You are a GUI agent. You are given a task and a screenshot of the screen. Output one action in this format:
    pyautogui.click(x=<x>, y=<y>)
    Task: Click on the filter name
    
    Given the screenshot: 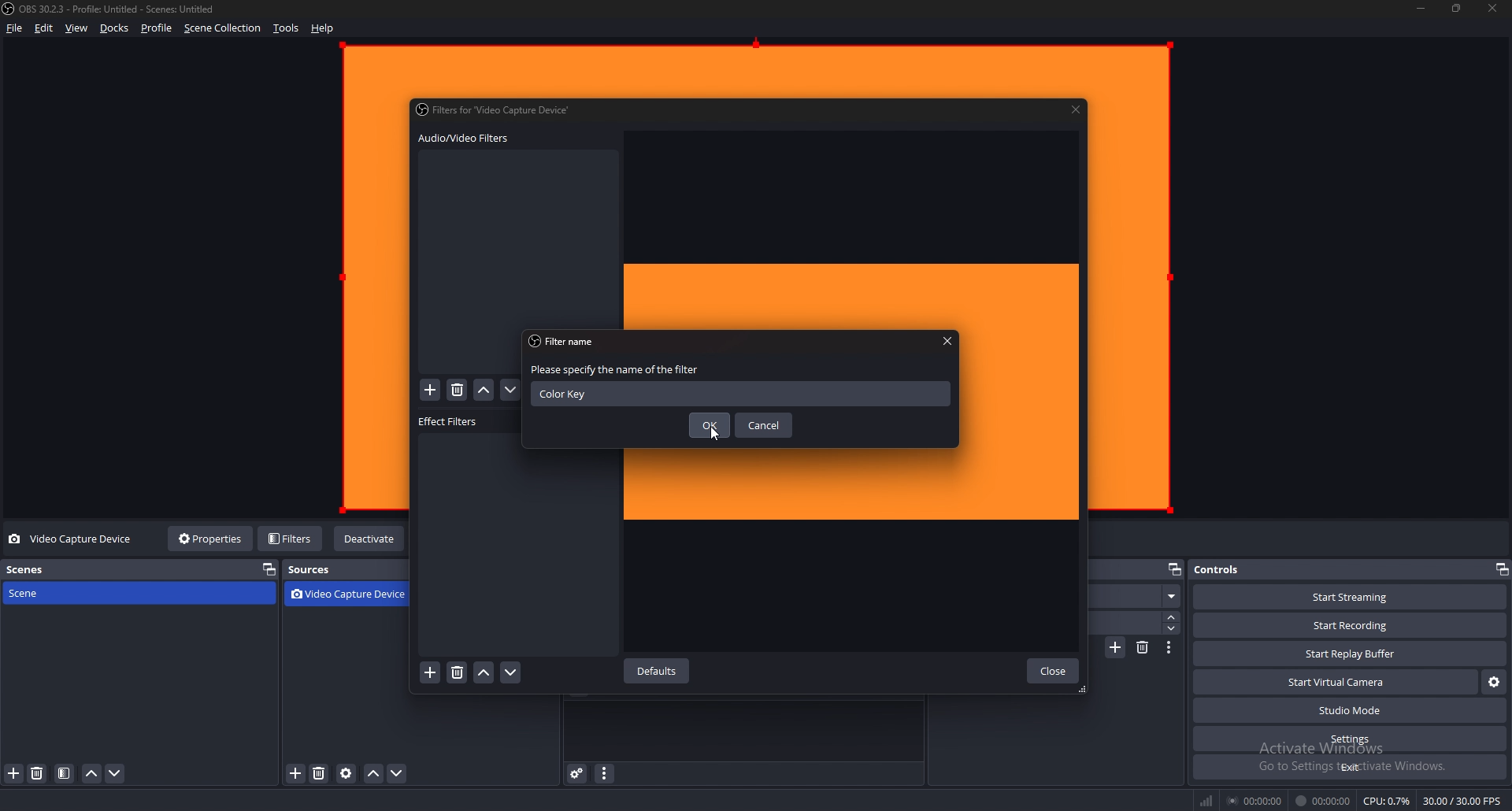 What is the action you would take?
    pyautogui.click(x=567, y=342)
    